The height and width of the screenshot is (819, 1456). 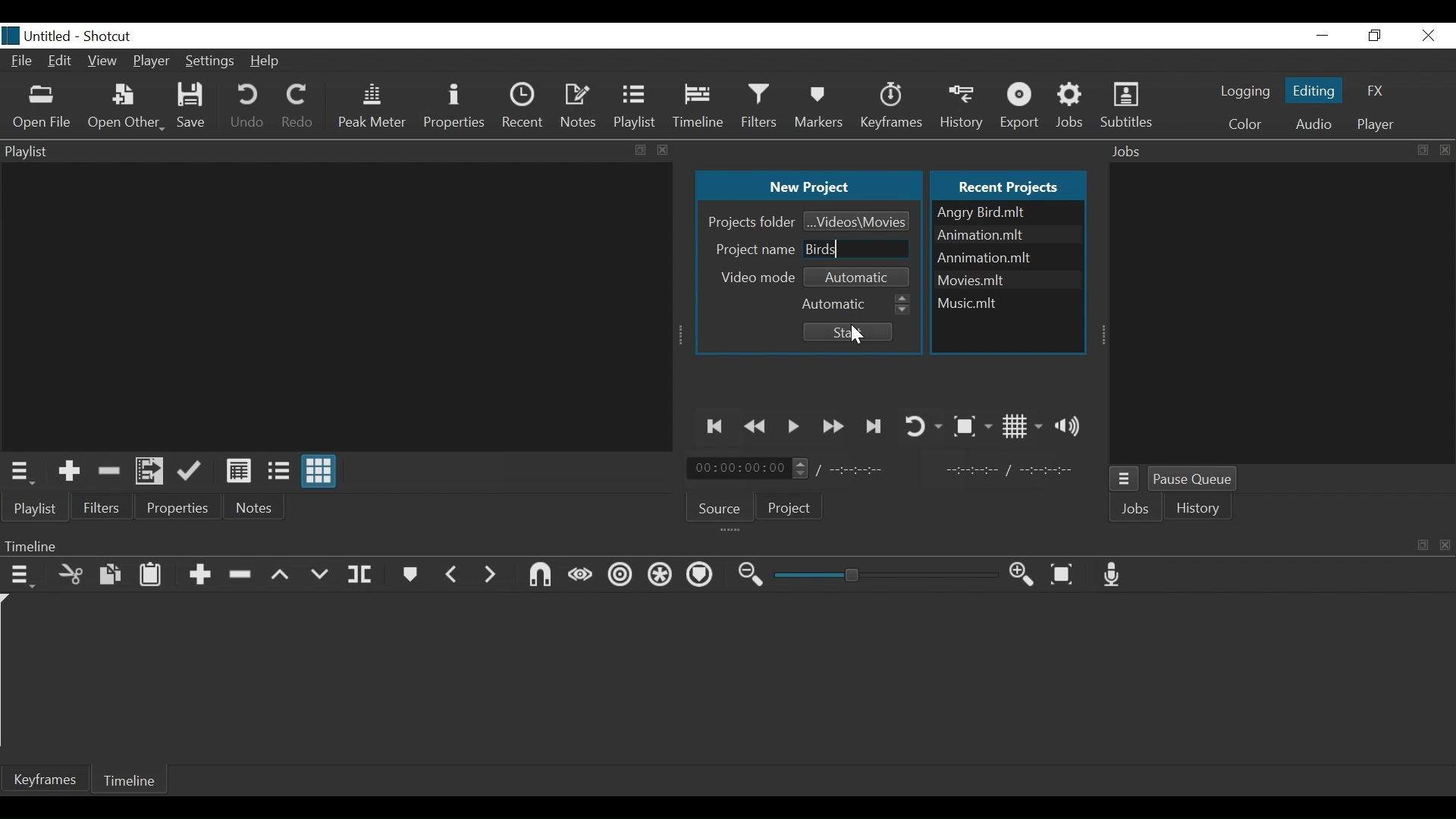 I want to click on Recent Projects, so click(x=1012, y=184).